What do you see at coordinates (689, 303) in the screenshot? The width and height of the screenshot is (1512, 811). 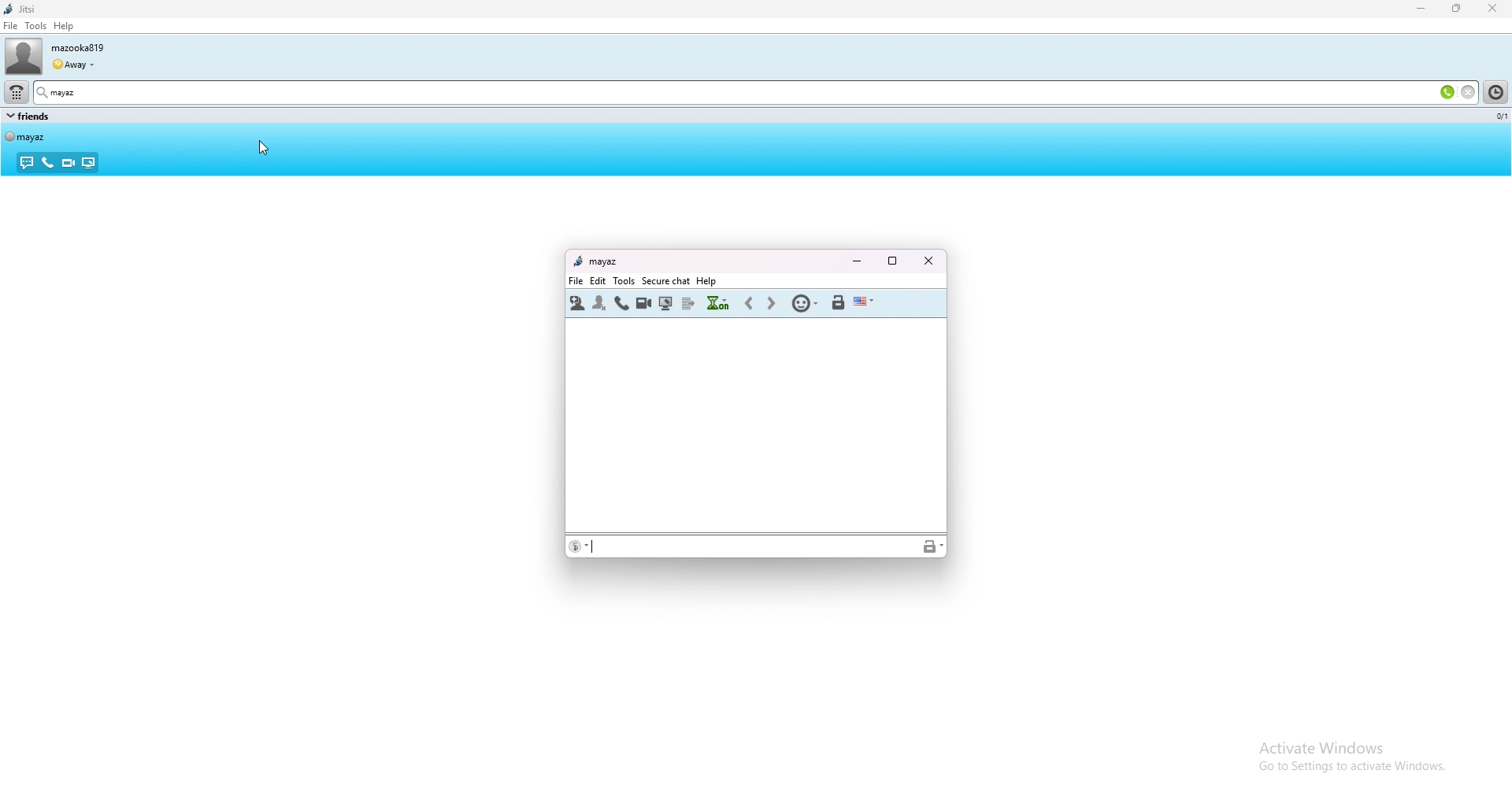 I see `send file` at bounding box center [689, 303].